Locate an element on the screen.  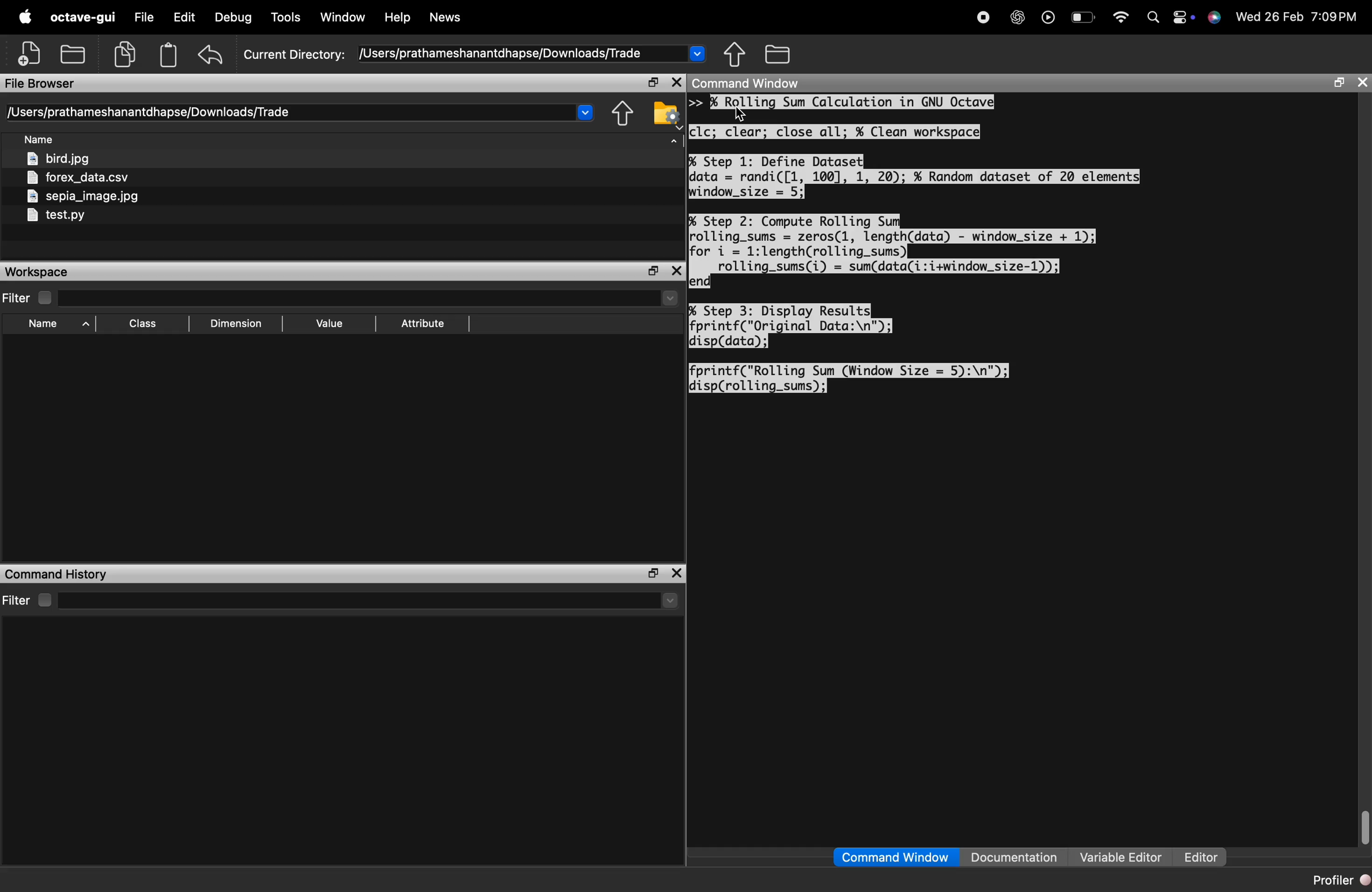
files is located at coordinates (108, 190).